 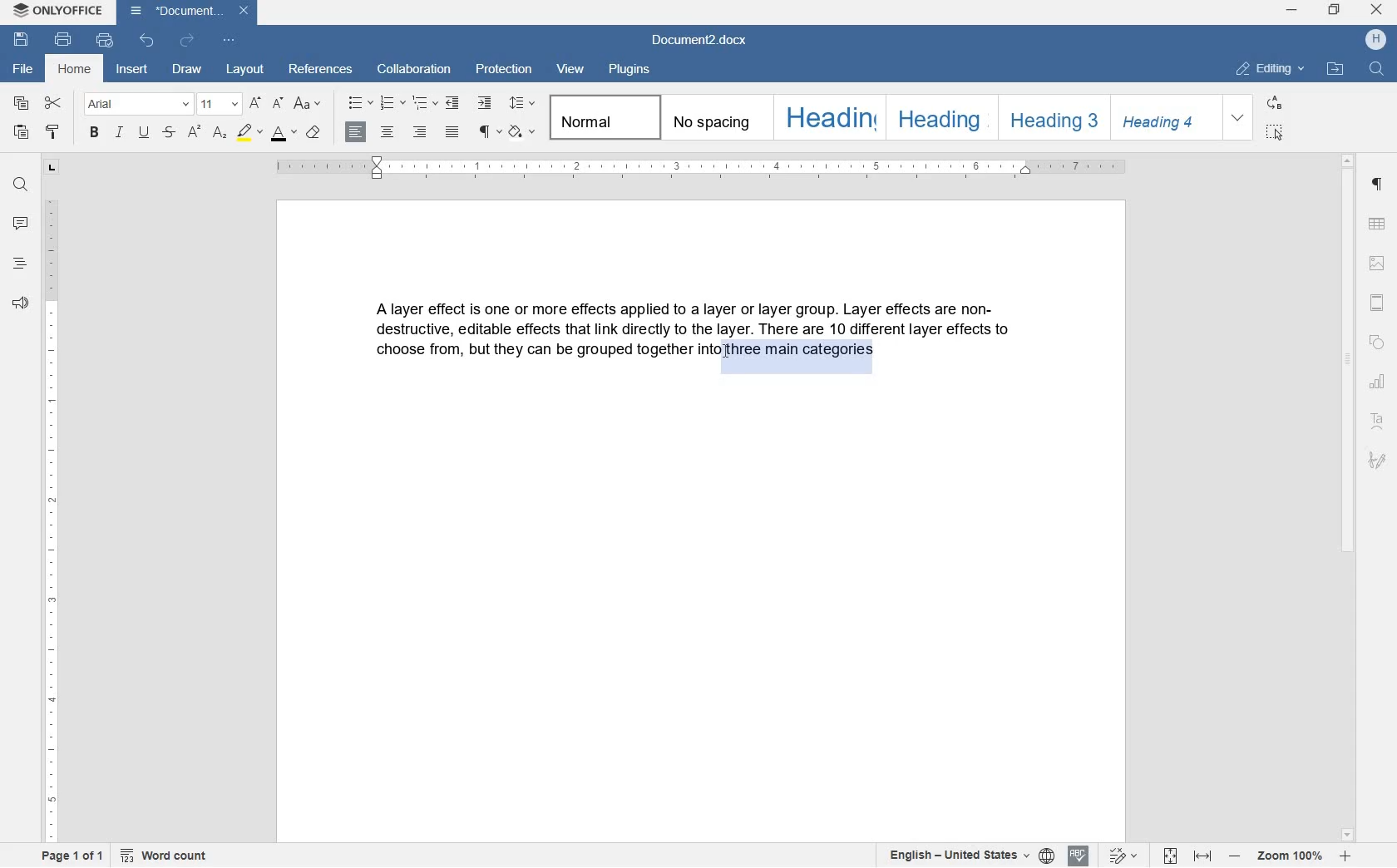 What do you see at coordinates (20, 39) in the screenshot?
I see `save` at bounding box center [20, 39].